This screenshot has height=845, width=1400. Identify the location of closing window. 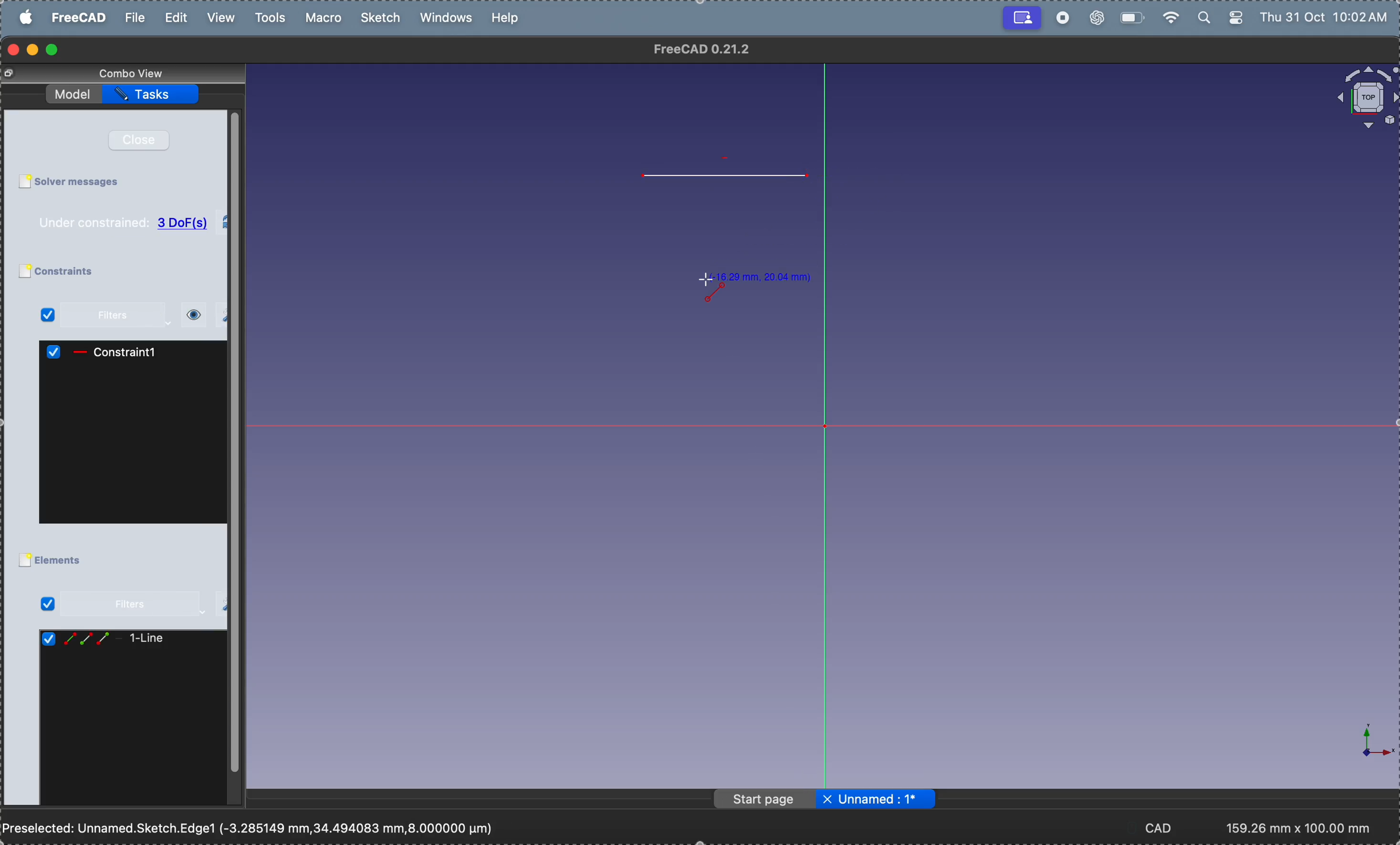
(14, 50).